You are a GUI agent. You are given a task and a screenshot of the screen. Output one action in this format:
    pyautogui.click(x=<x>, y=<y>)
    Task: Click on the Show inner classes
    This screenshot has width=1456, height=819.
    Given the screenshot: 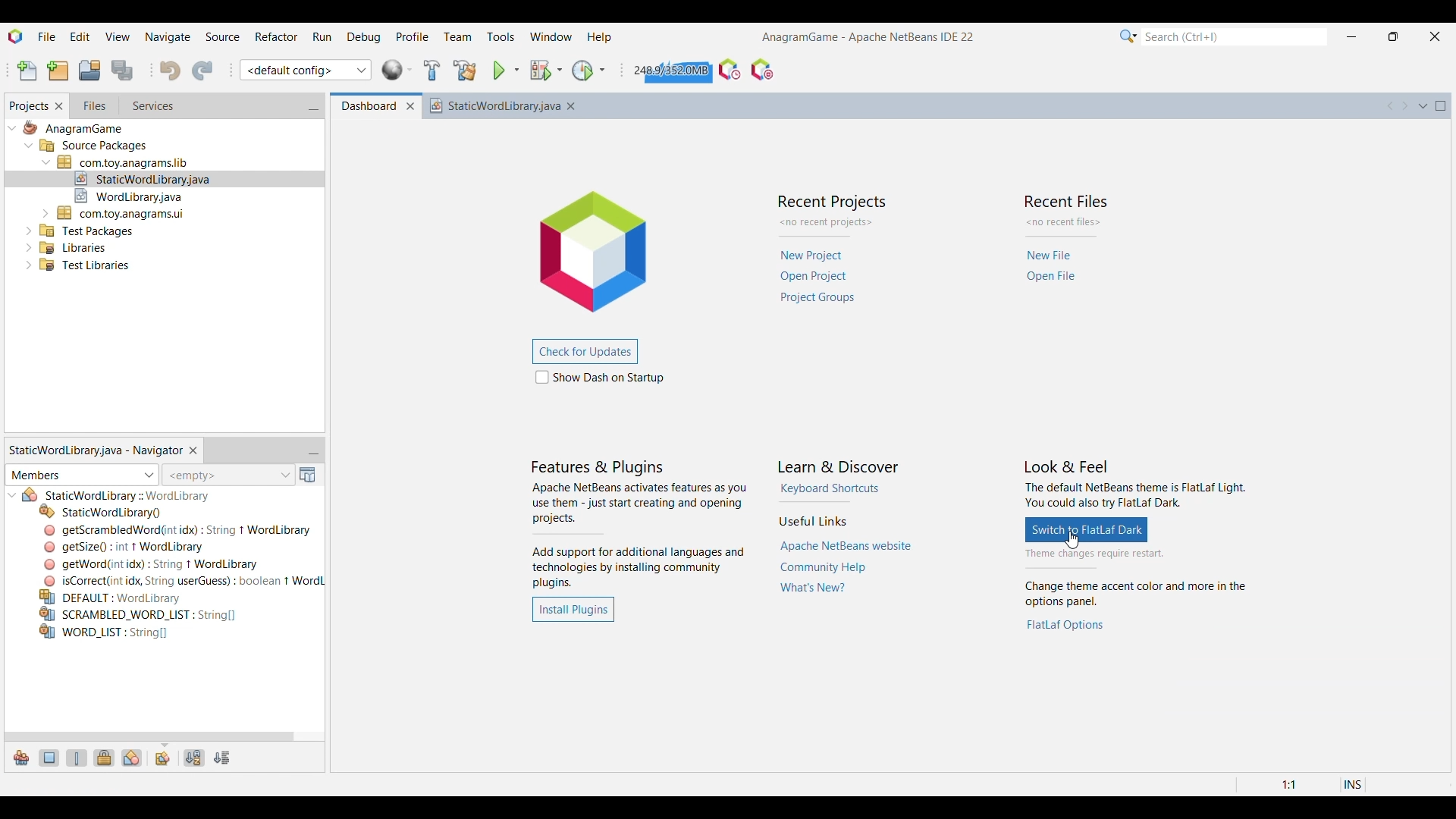 What is the action you would take?
    pyautogui.click(x=132, y=758)
    